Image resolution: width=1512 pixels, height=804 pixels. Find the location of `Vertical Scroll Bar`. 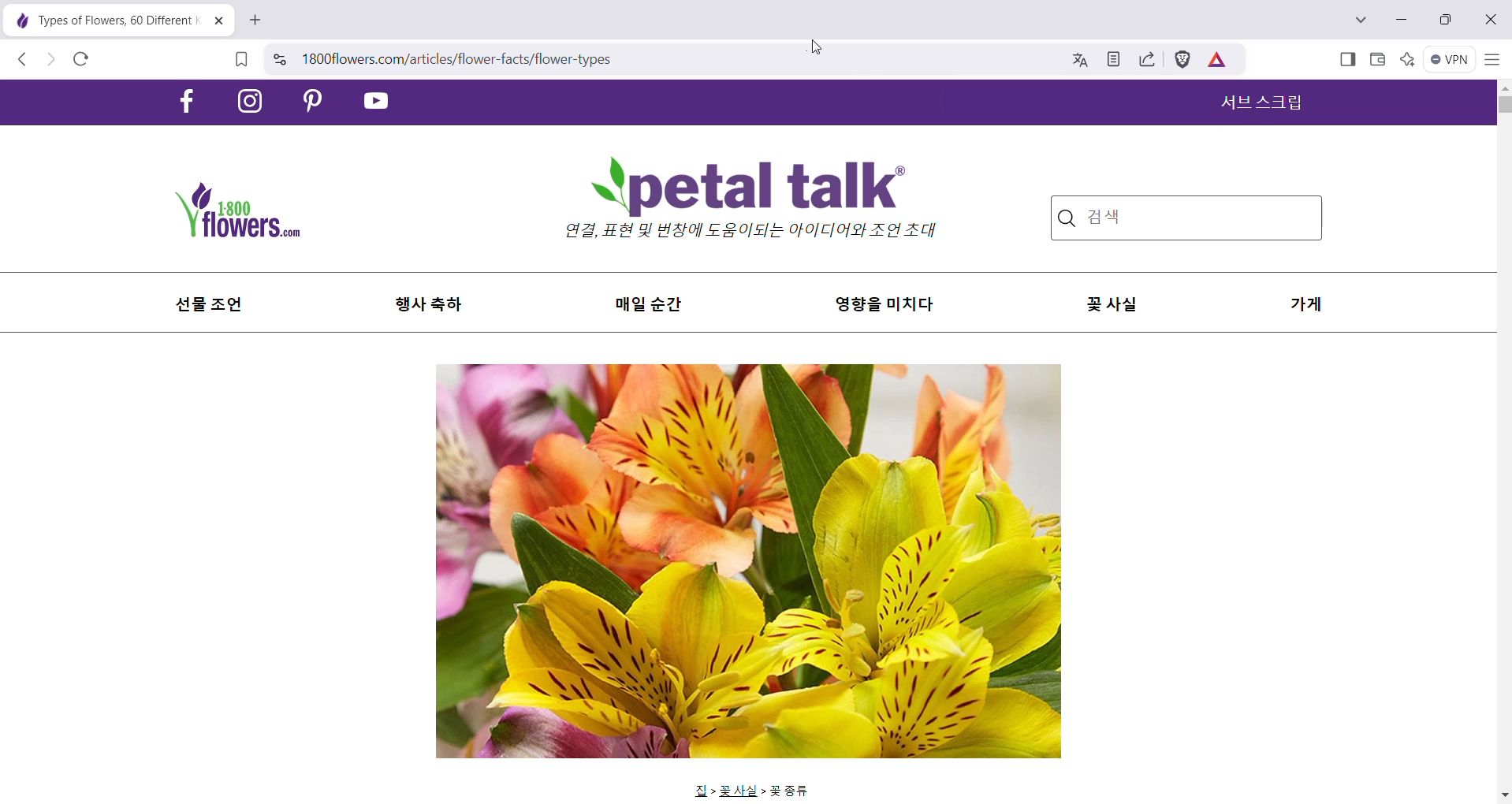

Vertical Scroll Bar is located at coordinates (1503, 442).